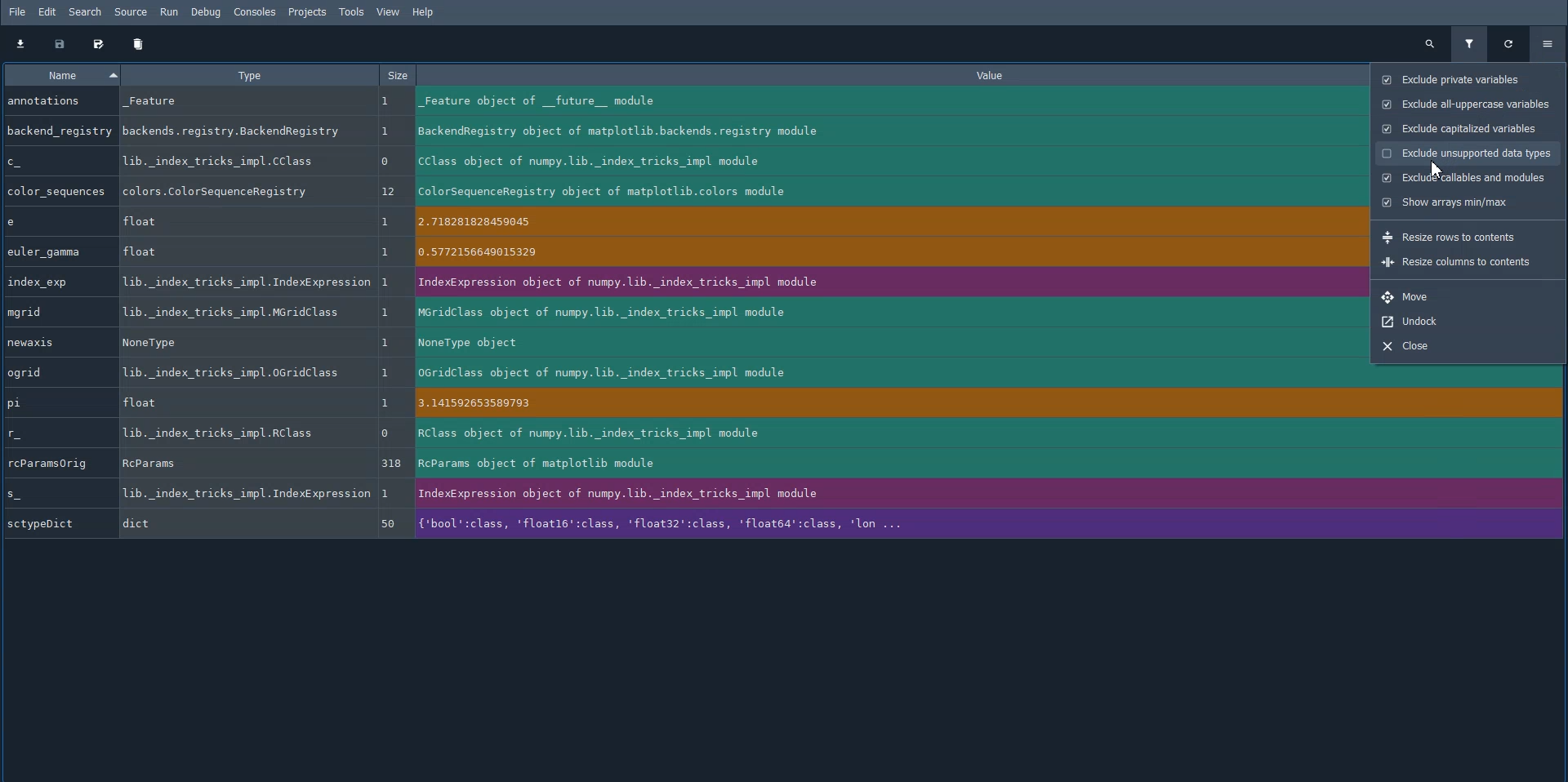 Image resolution: width=1568 pixels, height=782 pixels. I want to click on Exclude unstopped data type, so click(1466, 153).